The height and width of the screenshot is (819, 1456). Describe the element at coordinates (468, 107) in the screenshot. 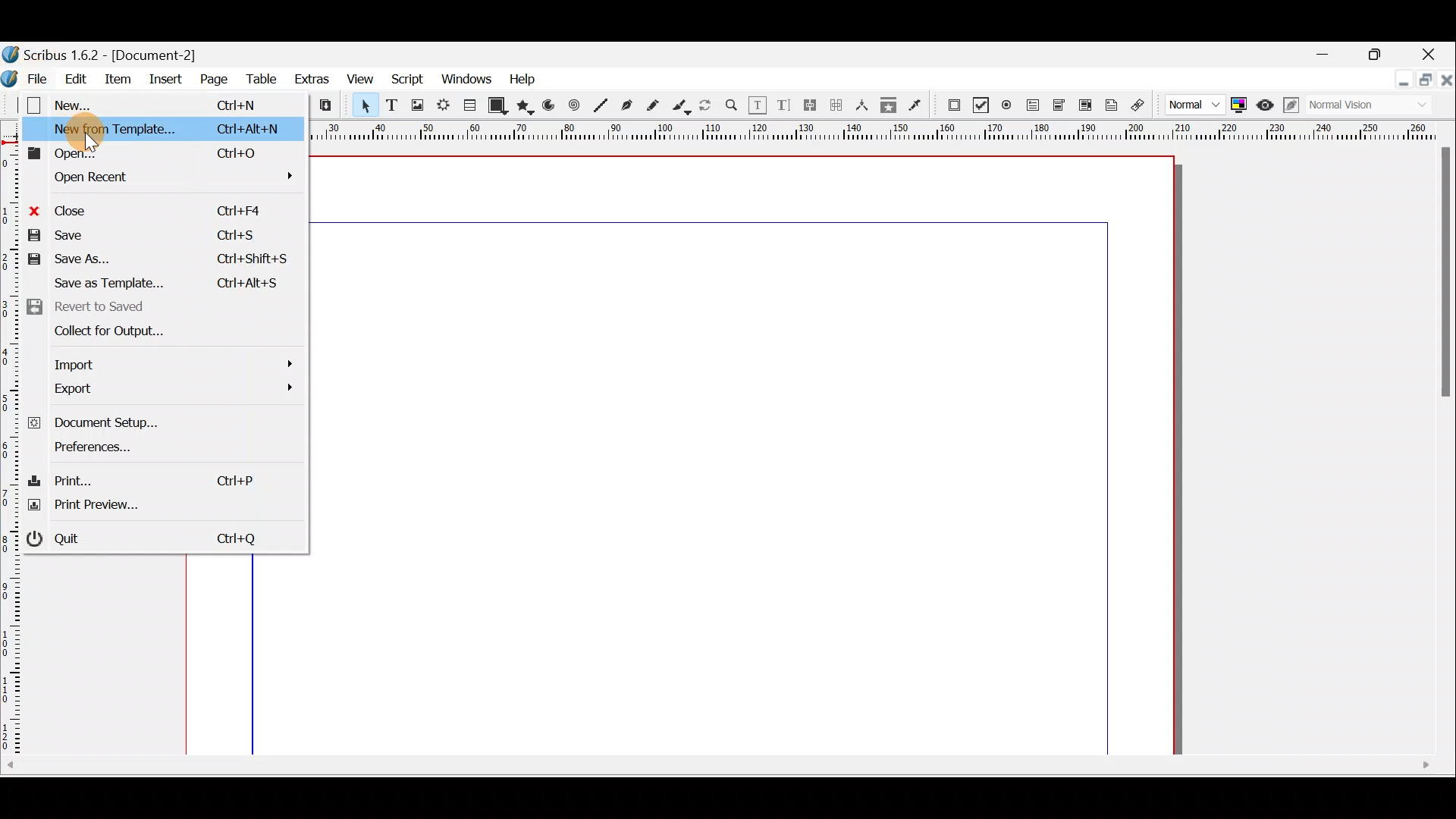

I see `Table` at that location.